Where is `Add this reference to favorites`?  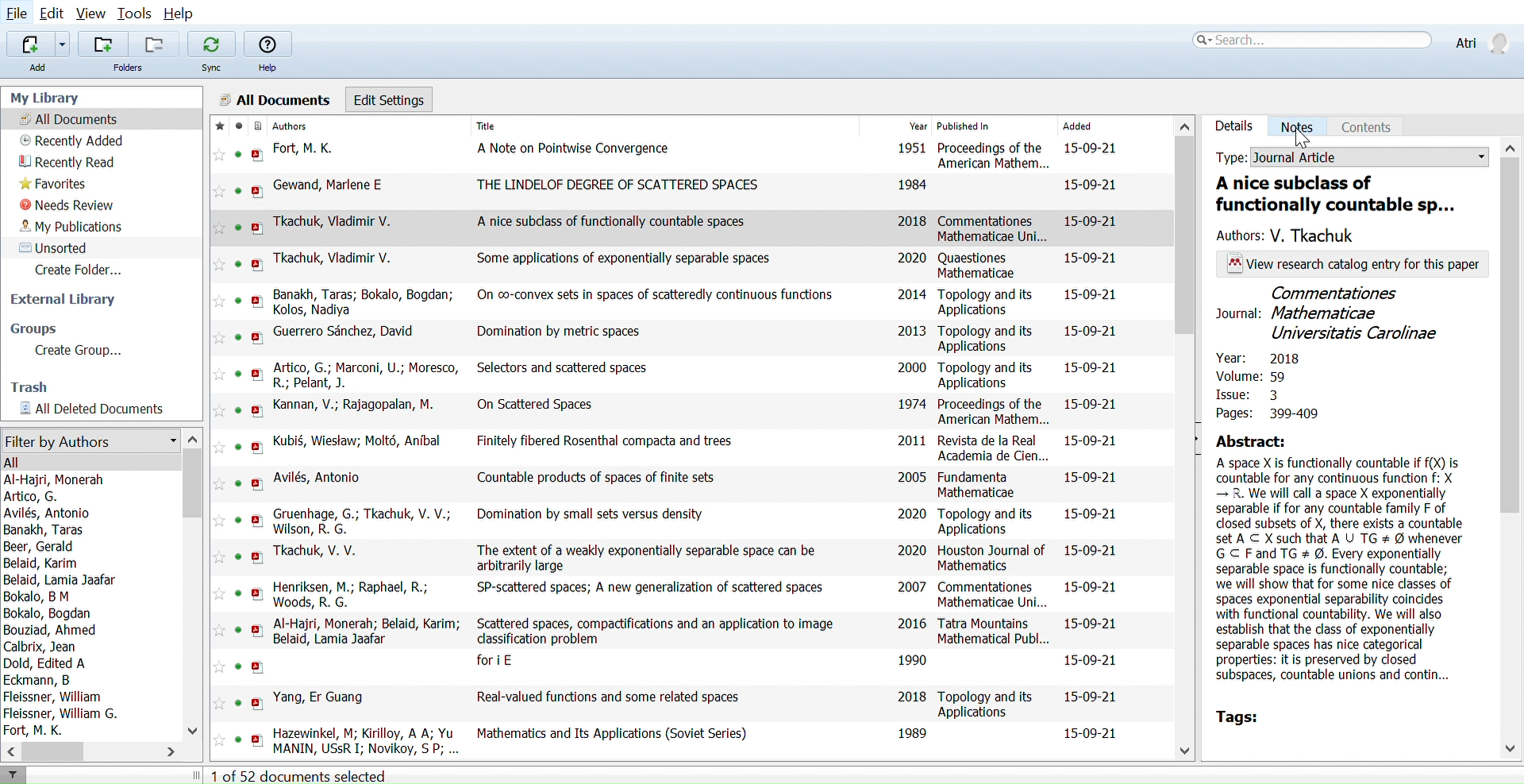 Add this reference to favorites is located at coordinates (221, 156).